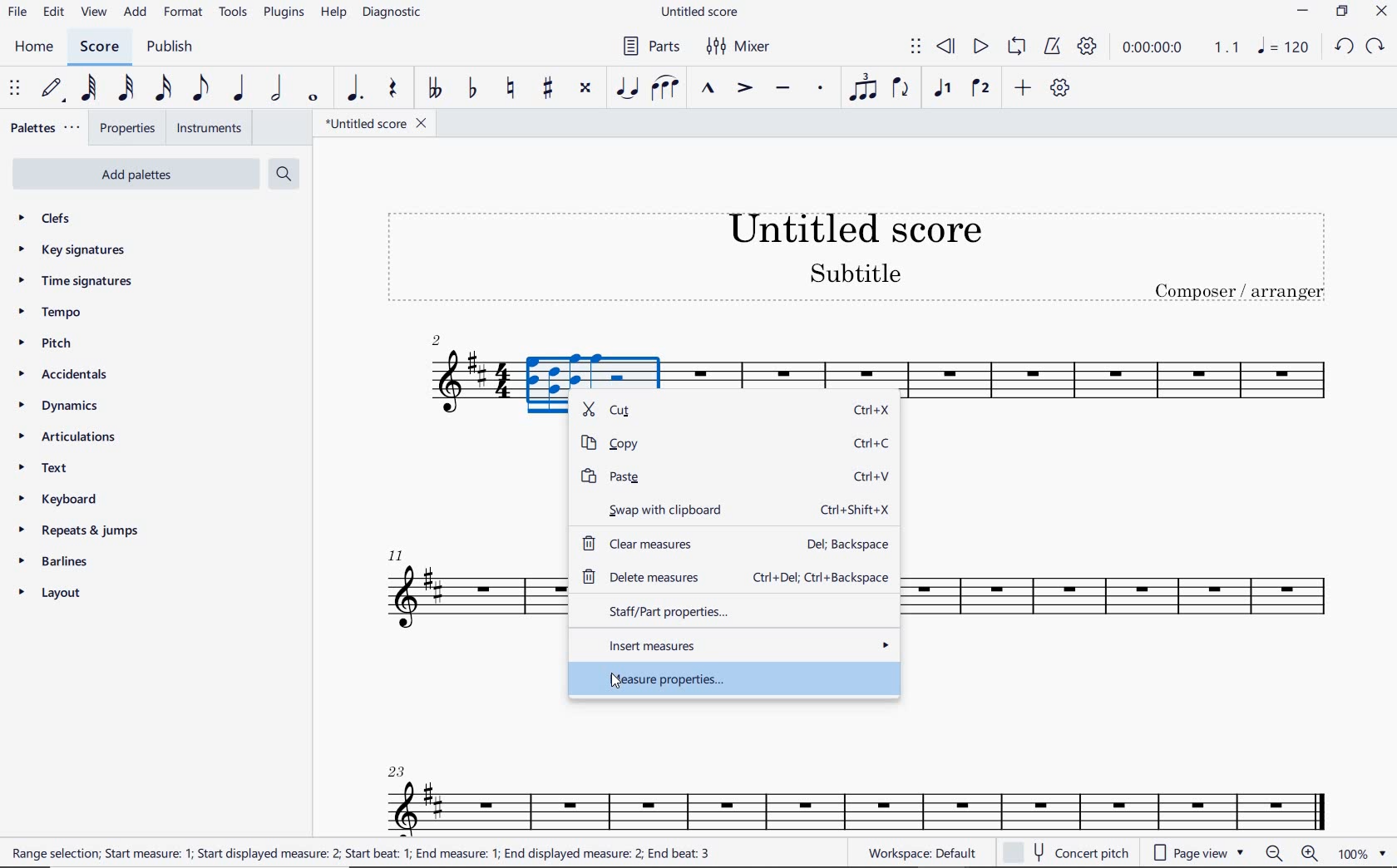 This screenshot has height=868, width=1397. Describe the element at coordinates (1381, 13) in the screenshot. I see `CLOSE` at that location.